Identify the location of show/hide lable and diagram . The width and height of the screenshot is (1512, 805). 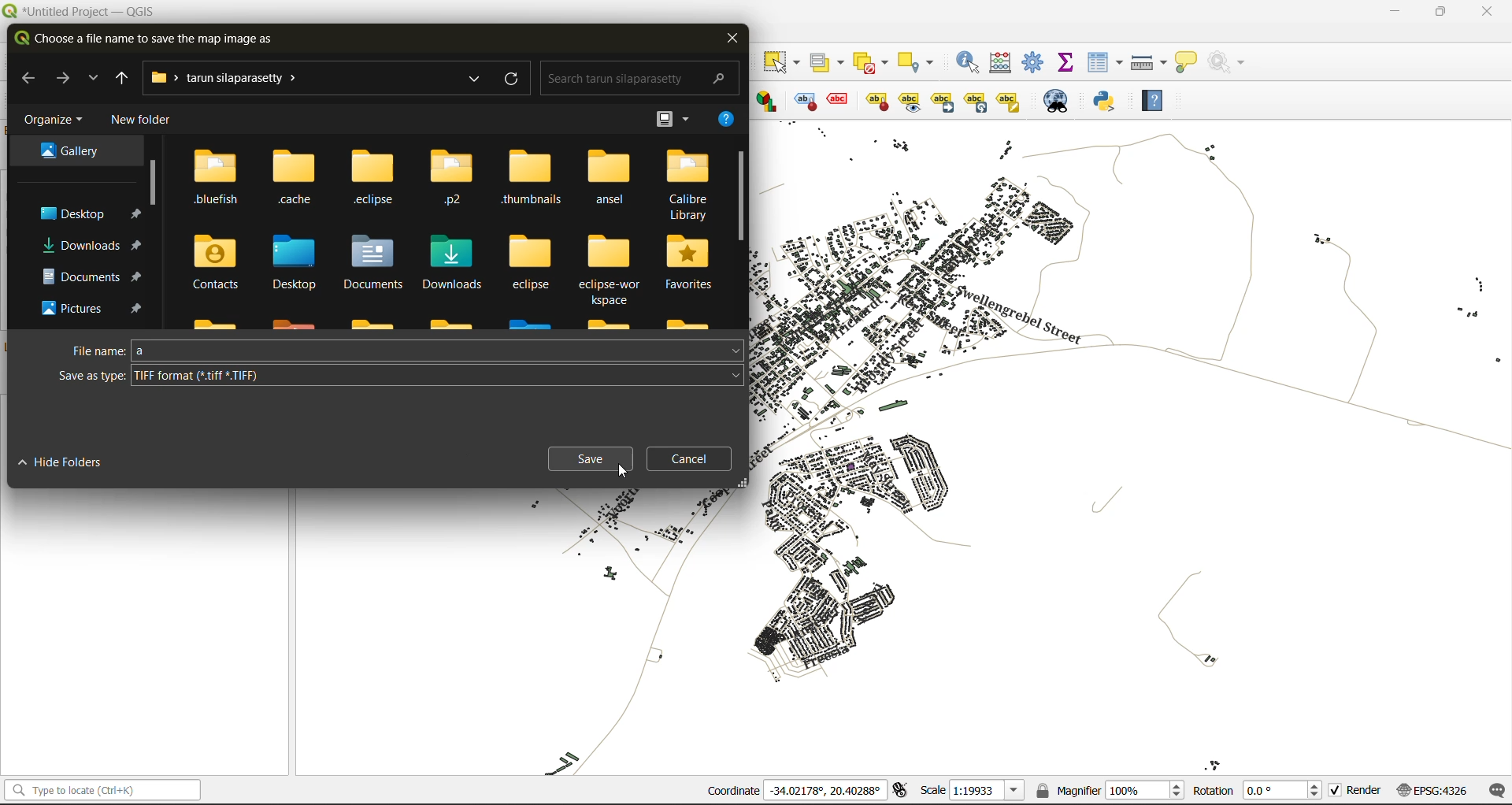
(876, 100).